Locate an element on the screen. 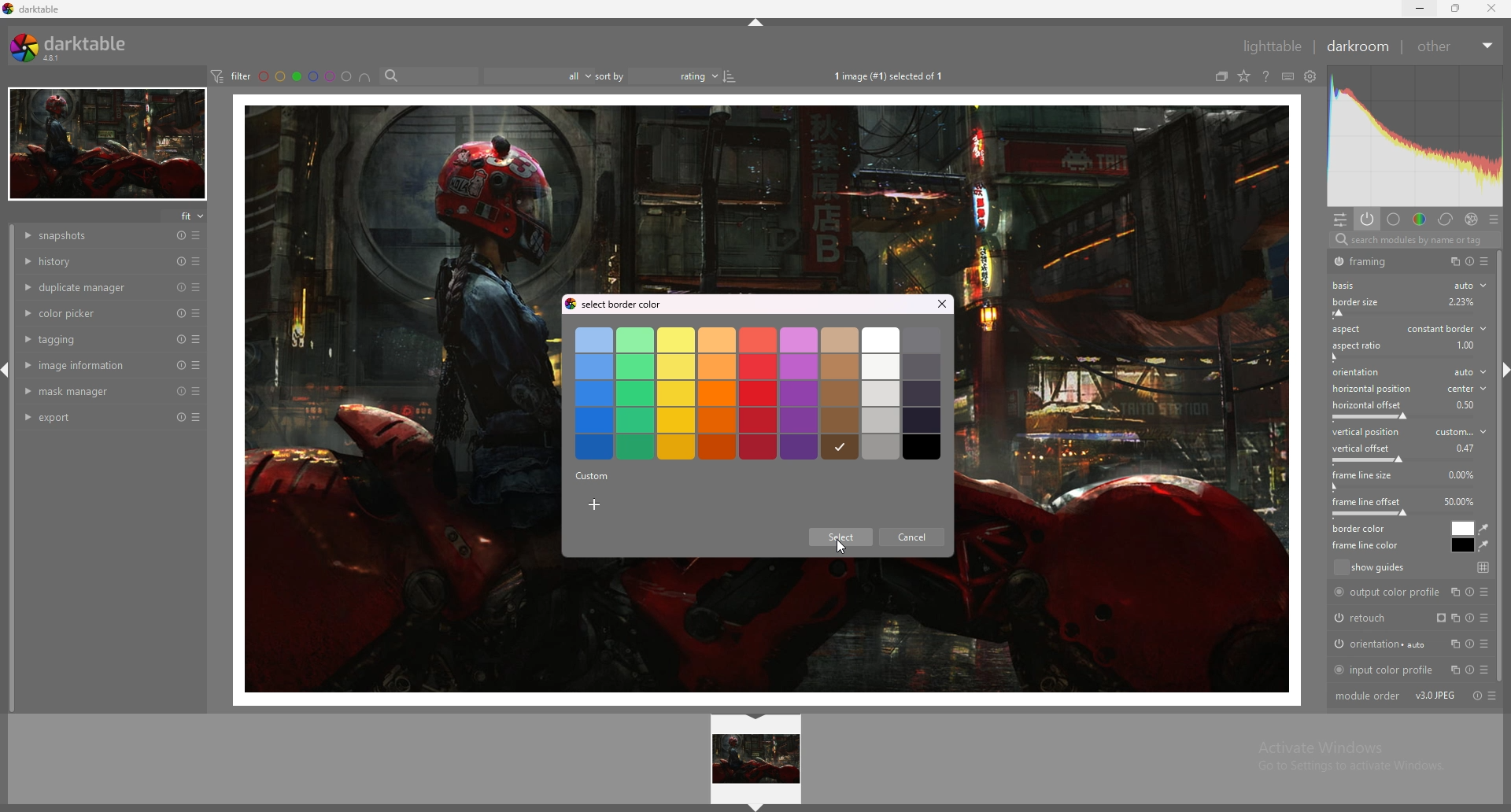 Image resolution: width=1511 pixels, height=812 pixels. rating is located at coordinates (684, 76).